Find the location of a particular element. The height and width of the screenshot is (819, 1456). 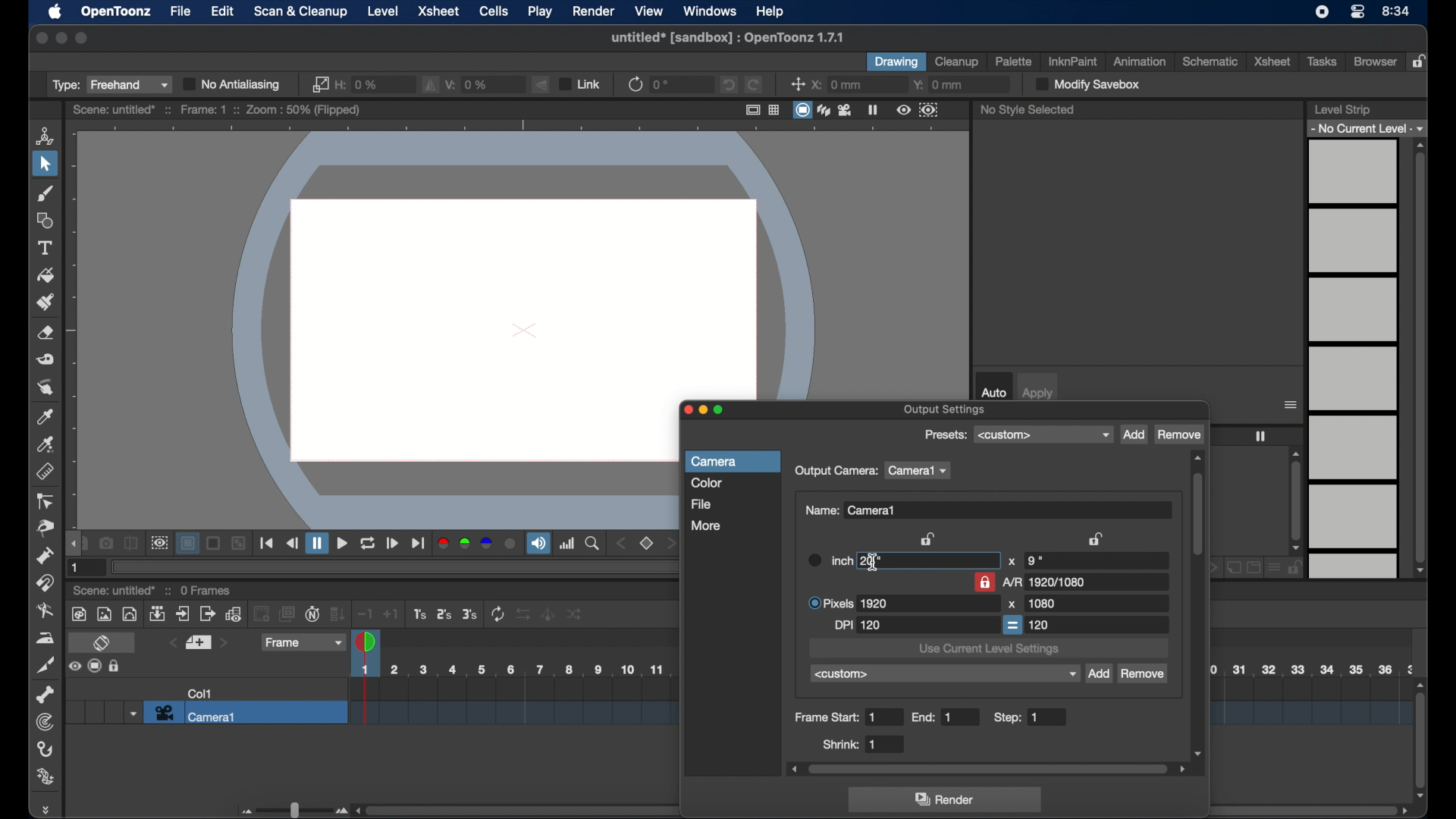

xsheet is located at coordinates (1272, 61).